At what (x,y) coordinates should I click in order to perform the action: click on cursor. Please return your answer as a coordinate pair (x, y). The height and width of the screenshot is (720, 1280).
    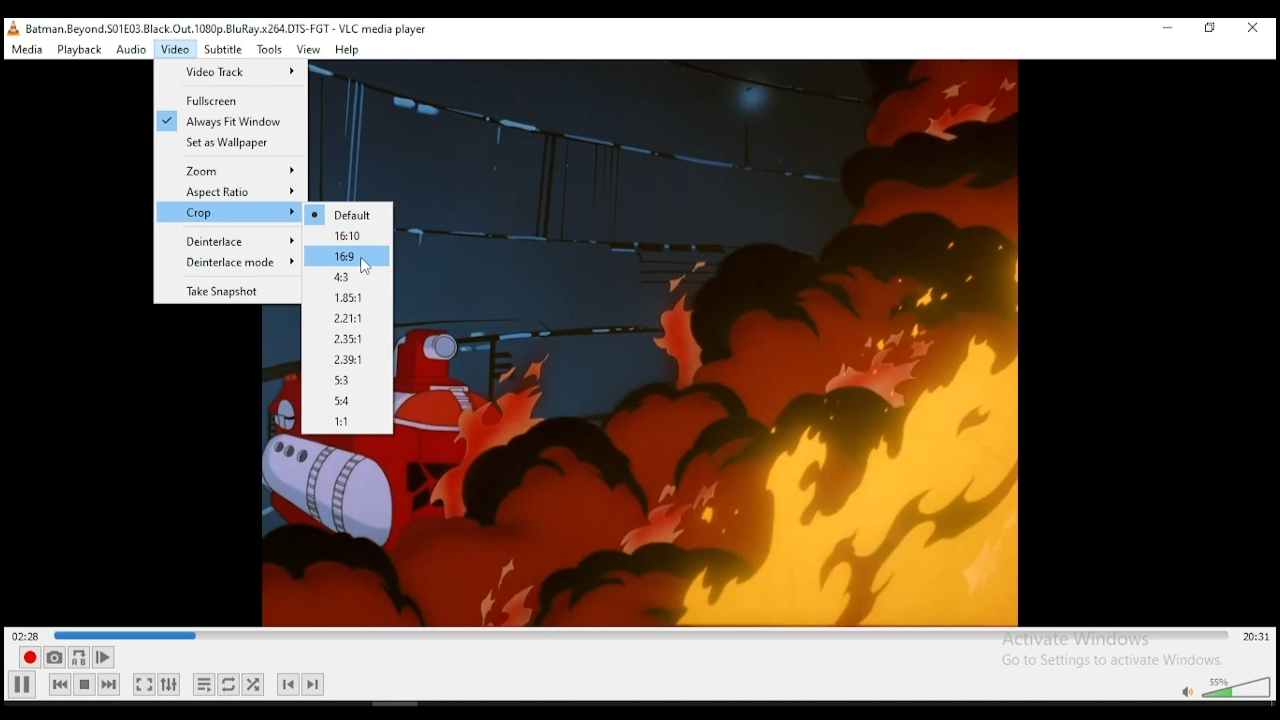
    Looking at the image, I should click on (366, 270).